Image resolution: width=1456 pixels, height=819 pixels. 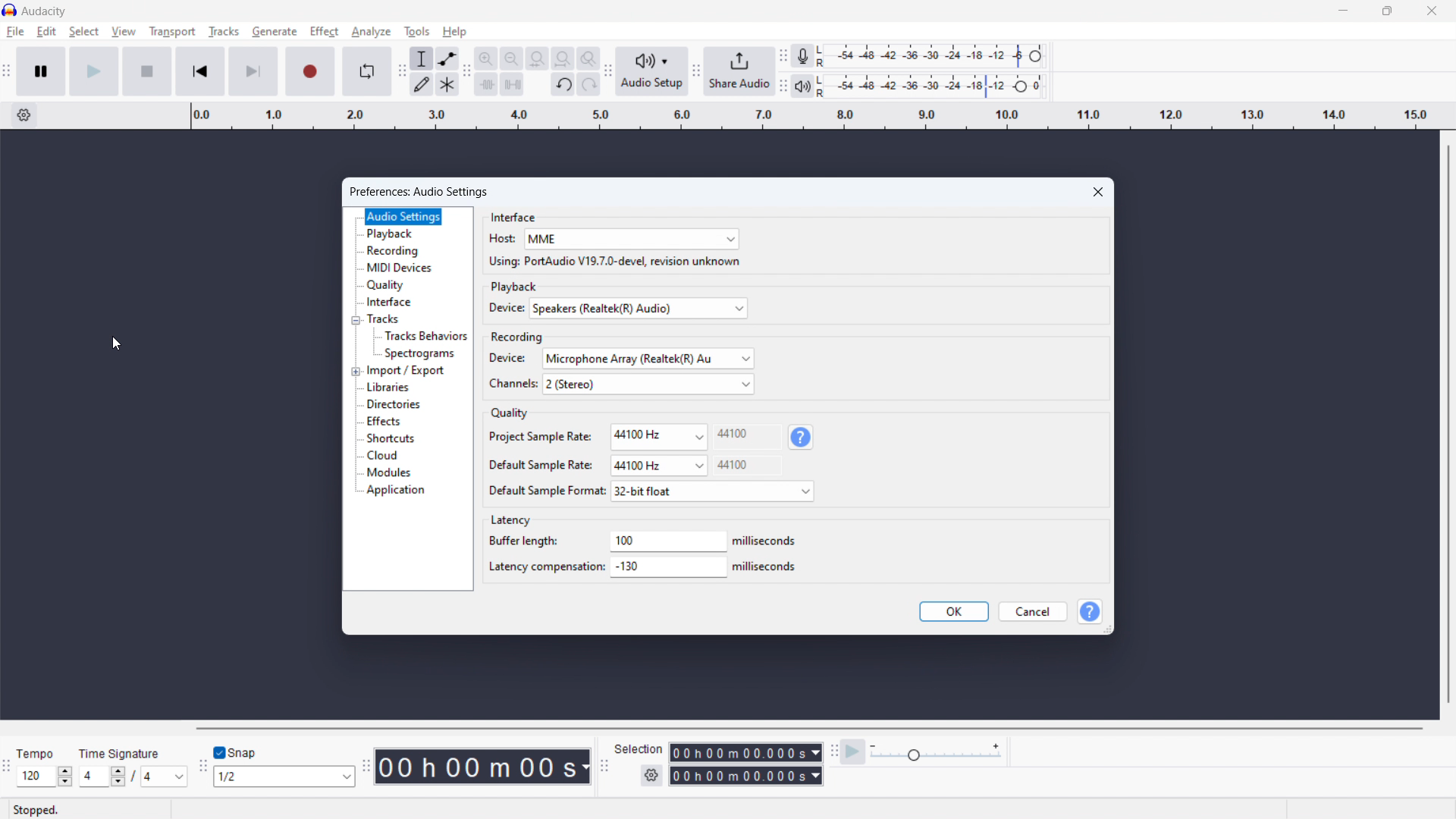 I want to click on undo, so click(x=563, y=83).